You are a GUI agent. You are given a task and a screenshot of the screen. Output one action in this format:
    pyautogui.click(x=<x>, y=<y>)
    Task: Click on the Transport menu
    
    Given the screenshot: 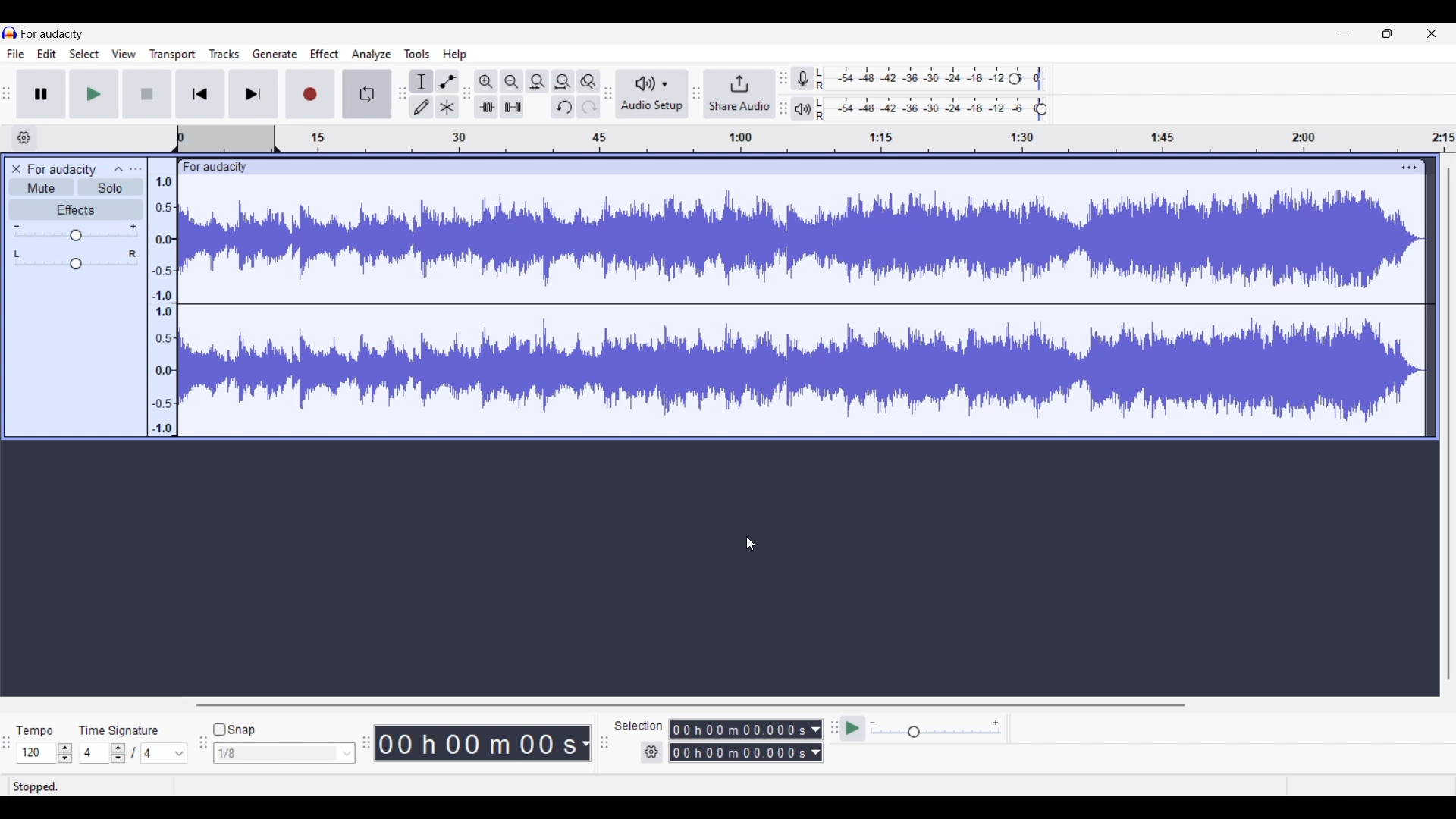 What is the action you would take?
    pyautogui.click(x=172, y=54)
    